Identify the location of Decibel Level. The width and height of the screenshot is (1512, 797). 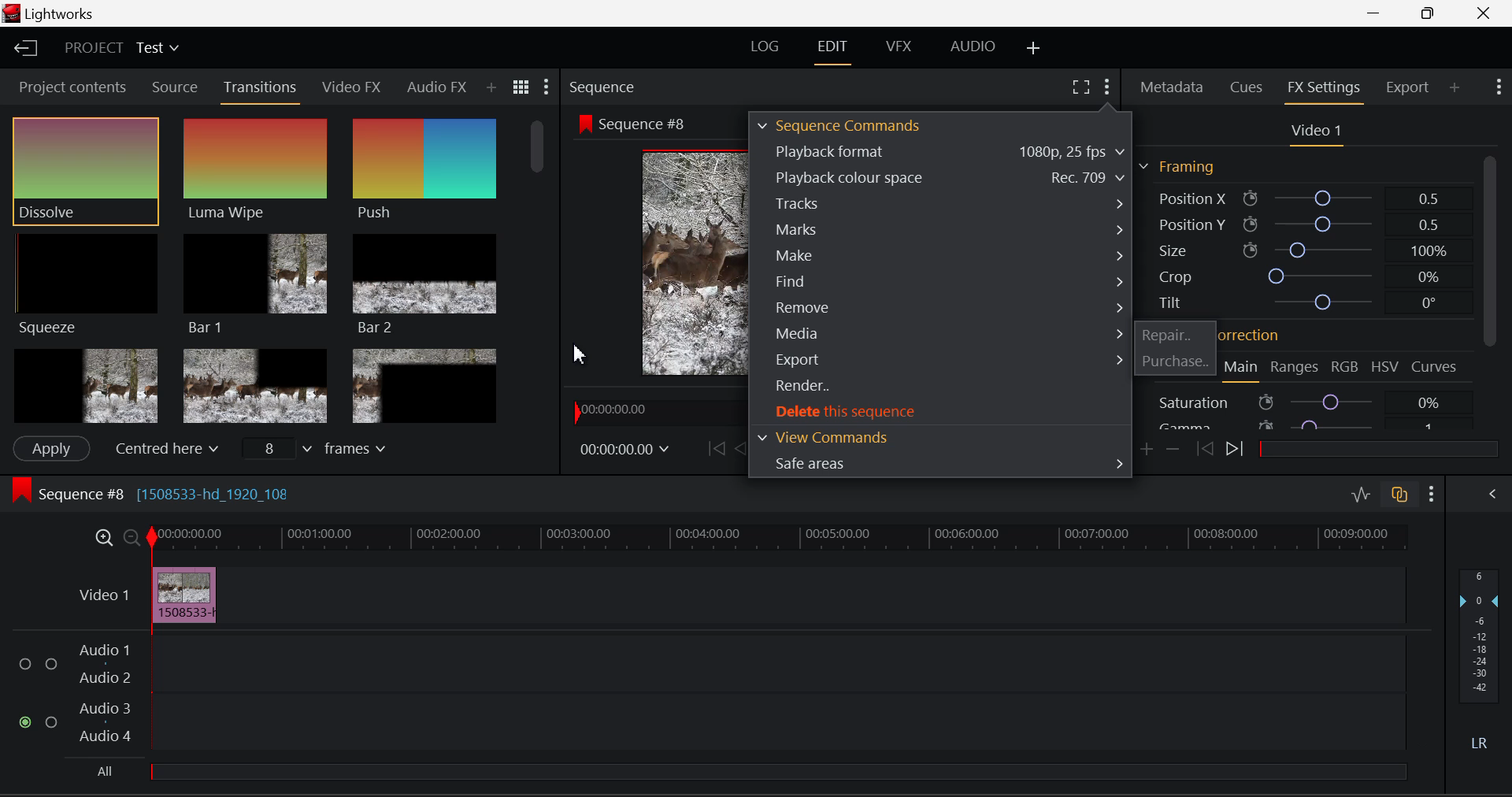
(1480, 654).